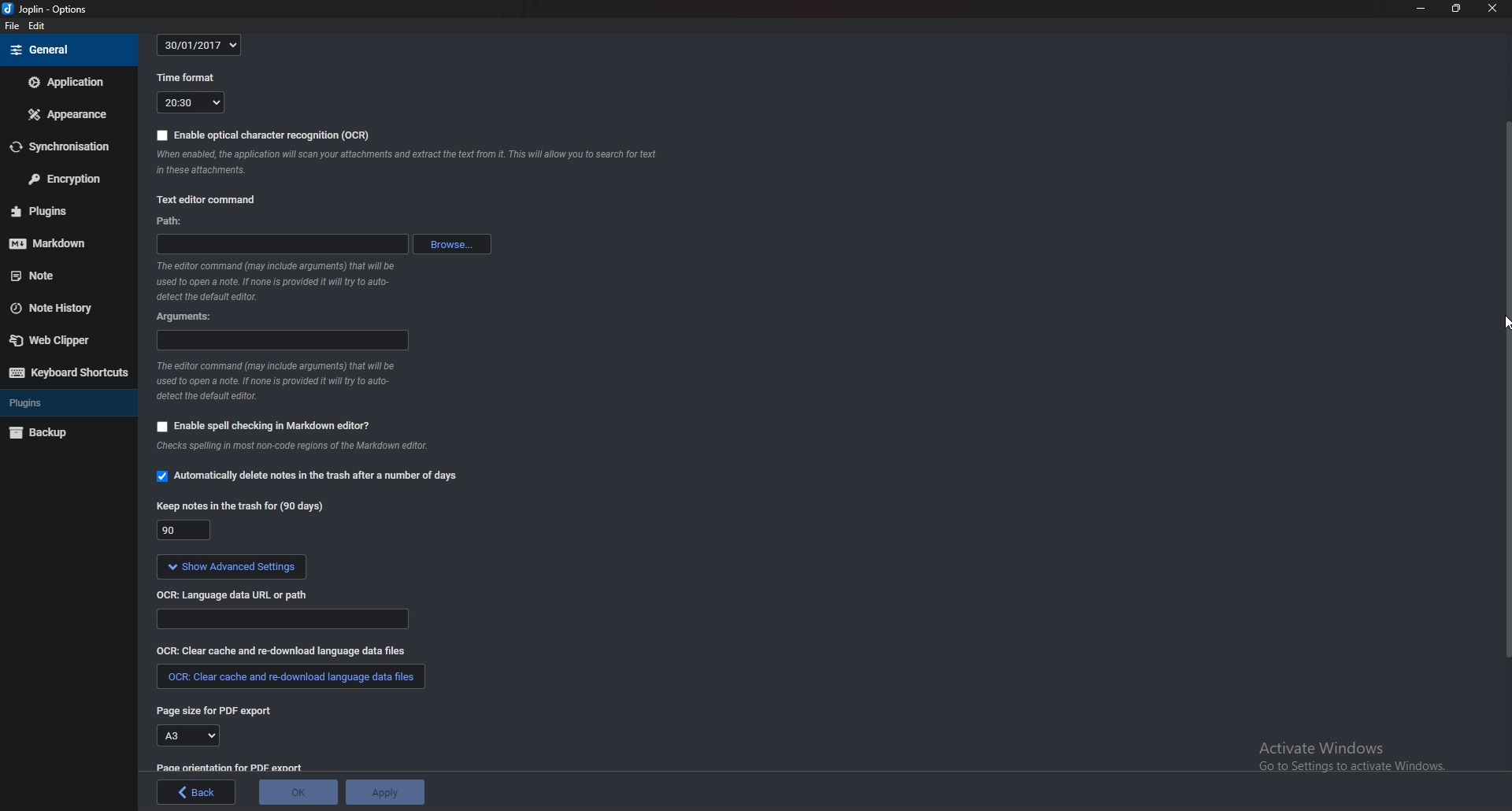 Image resolution: width=1512 pixels, height=811 pixels. What do you see at coordinates (1505, 394) in the screenshot?
I see `Scroll bar` at bounding box center [1505, 394].